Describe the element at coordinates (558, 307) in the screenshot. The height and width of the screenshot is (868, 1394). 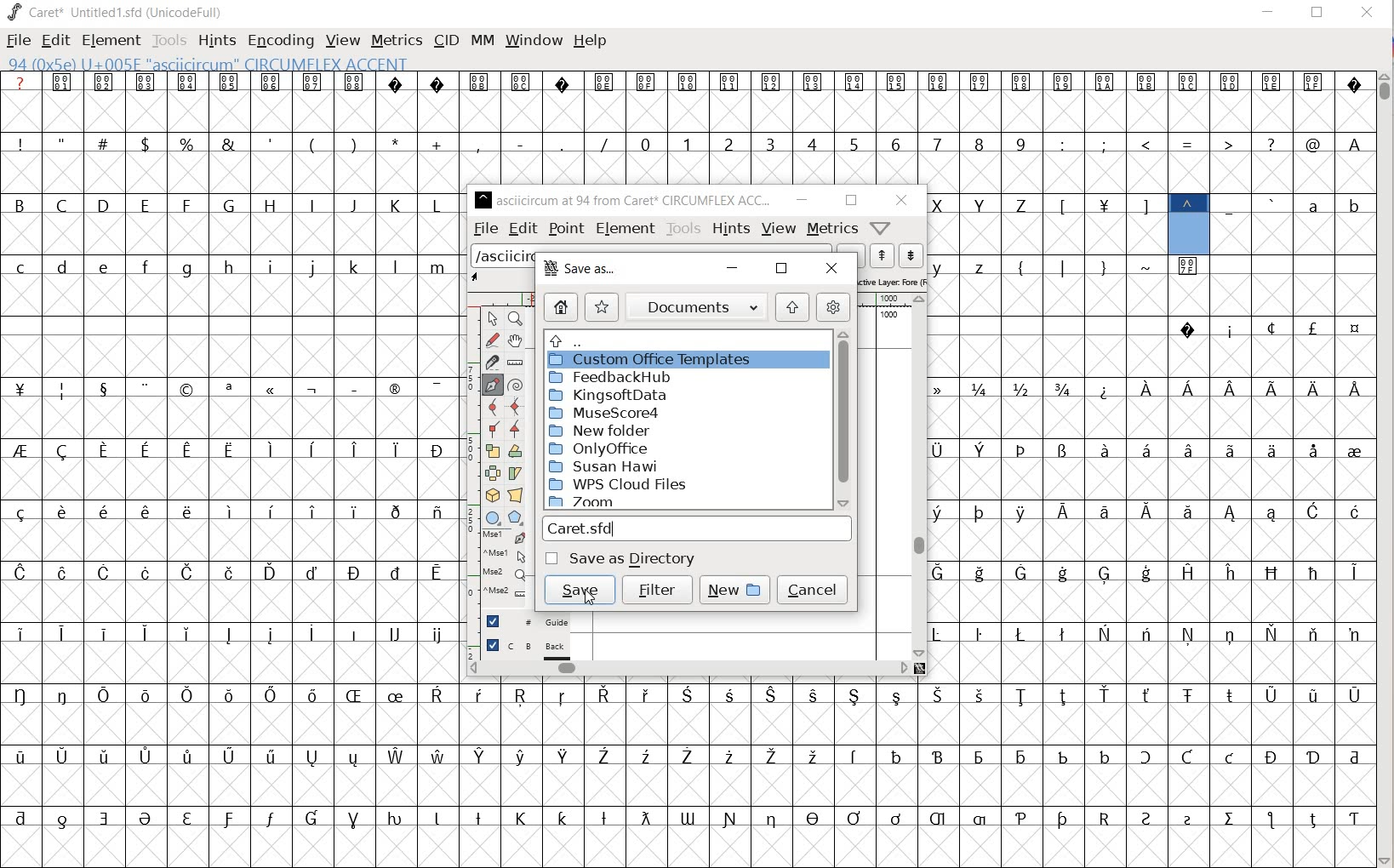
I see `home` at that location.